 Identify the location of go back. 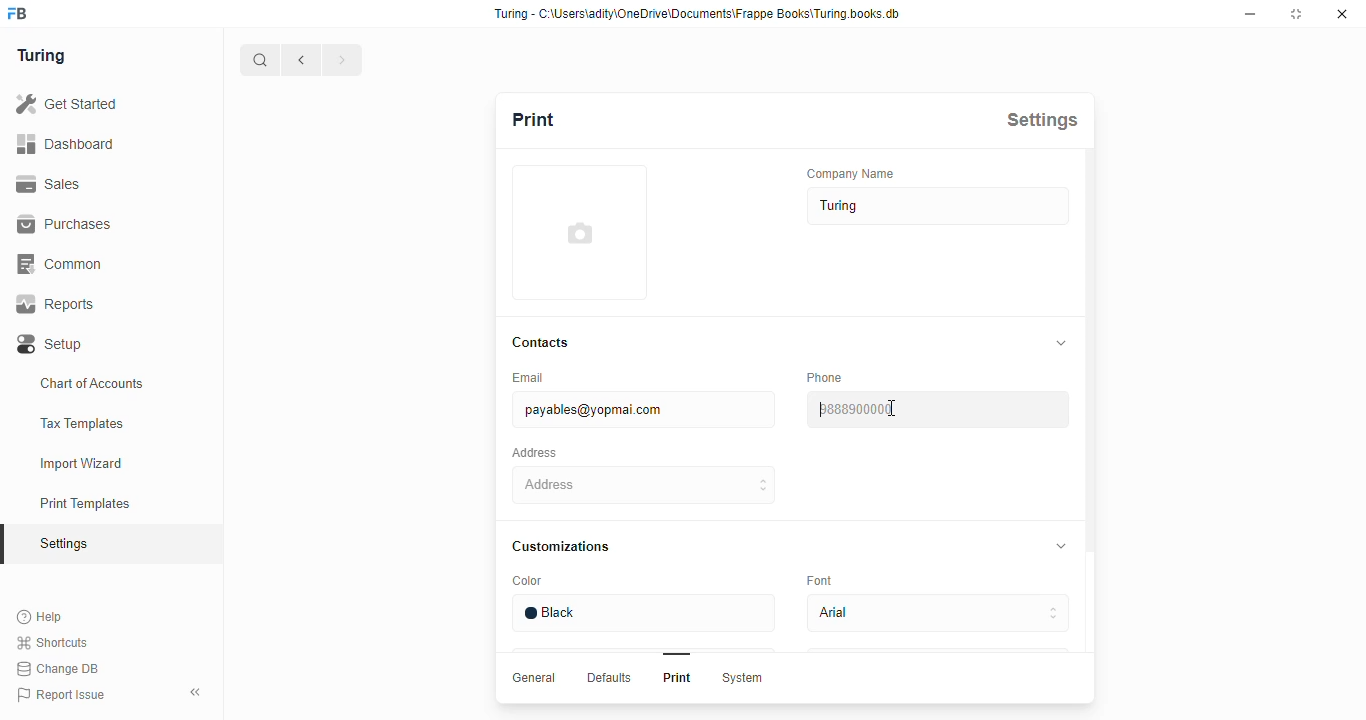
(302, 58).